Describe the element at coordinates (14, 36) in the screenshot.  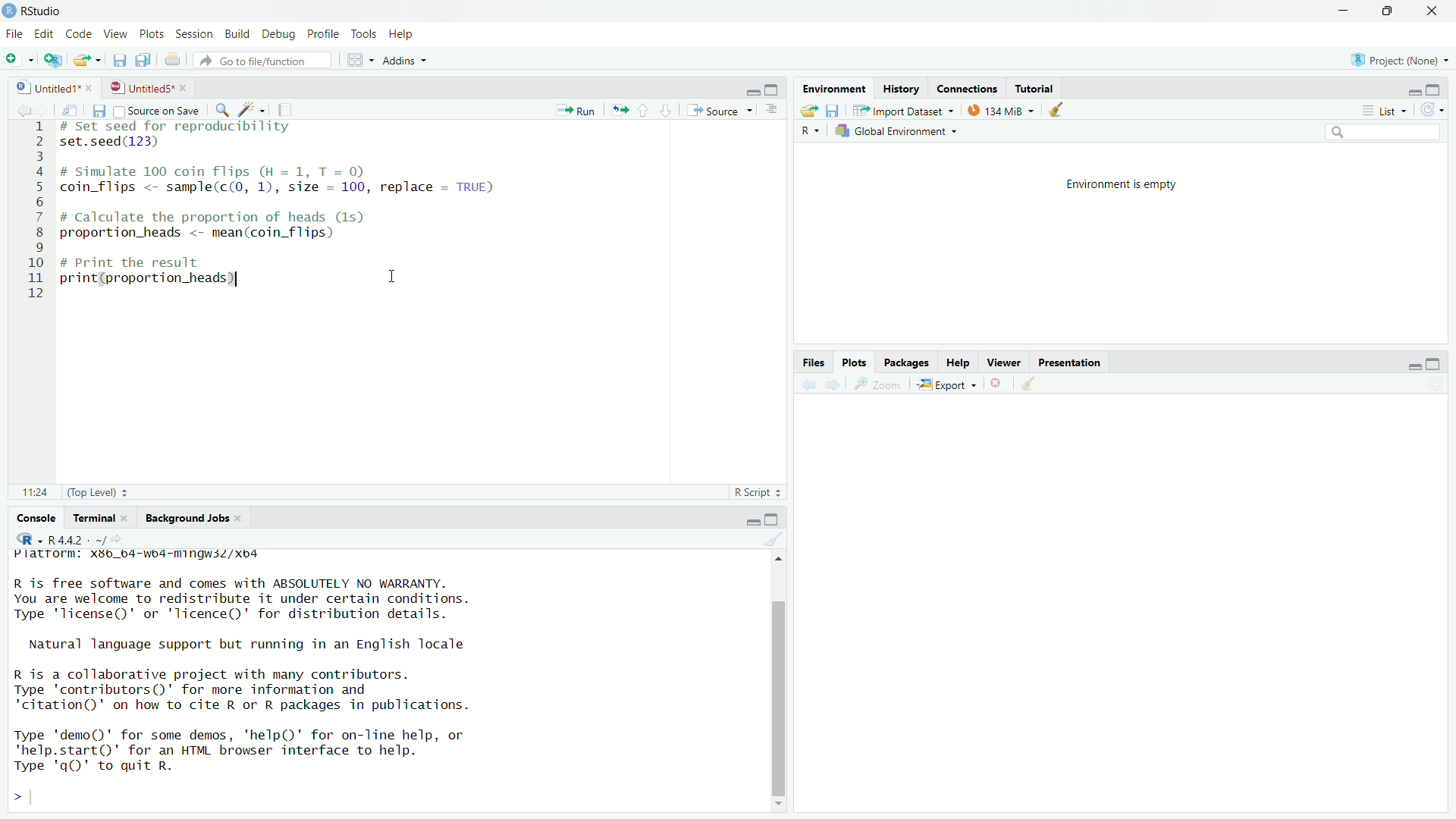
I see `file` at that location.